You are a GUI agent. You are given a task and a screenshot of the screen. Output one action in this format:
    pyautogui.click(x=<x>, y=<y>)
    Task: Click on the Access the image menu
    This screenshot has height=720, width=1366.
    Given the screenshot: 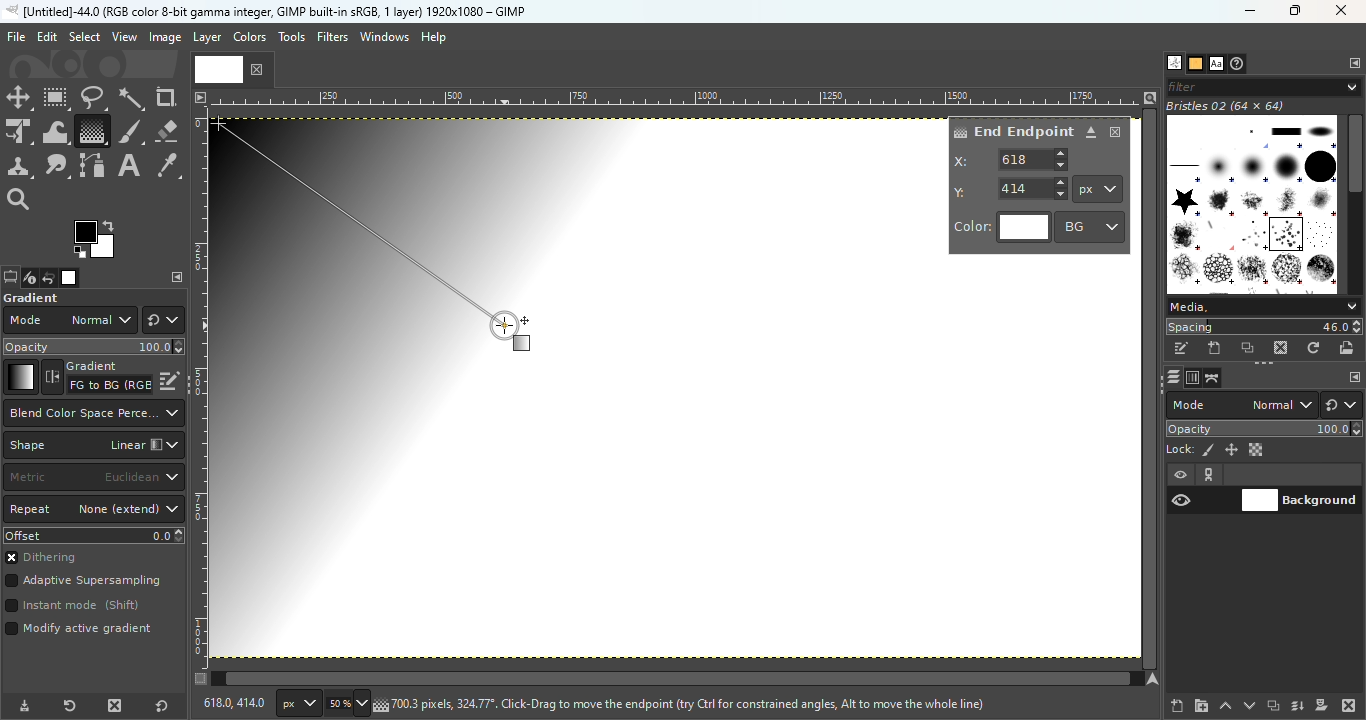 What is the action you would take?
    pyautogui.click(x=199, y=95)
    